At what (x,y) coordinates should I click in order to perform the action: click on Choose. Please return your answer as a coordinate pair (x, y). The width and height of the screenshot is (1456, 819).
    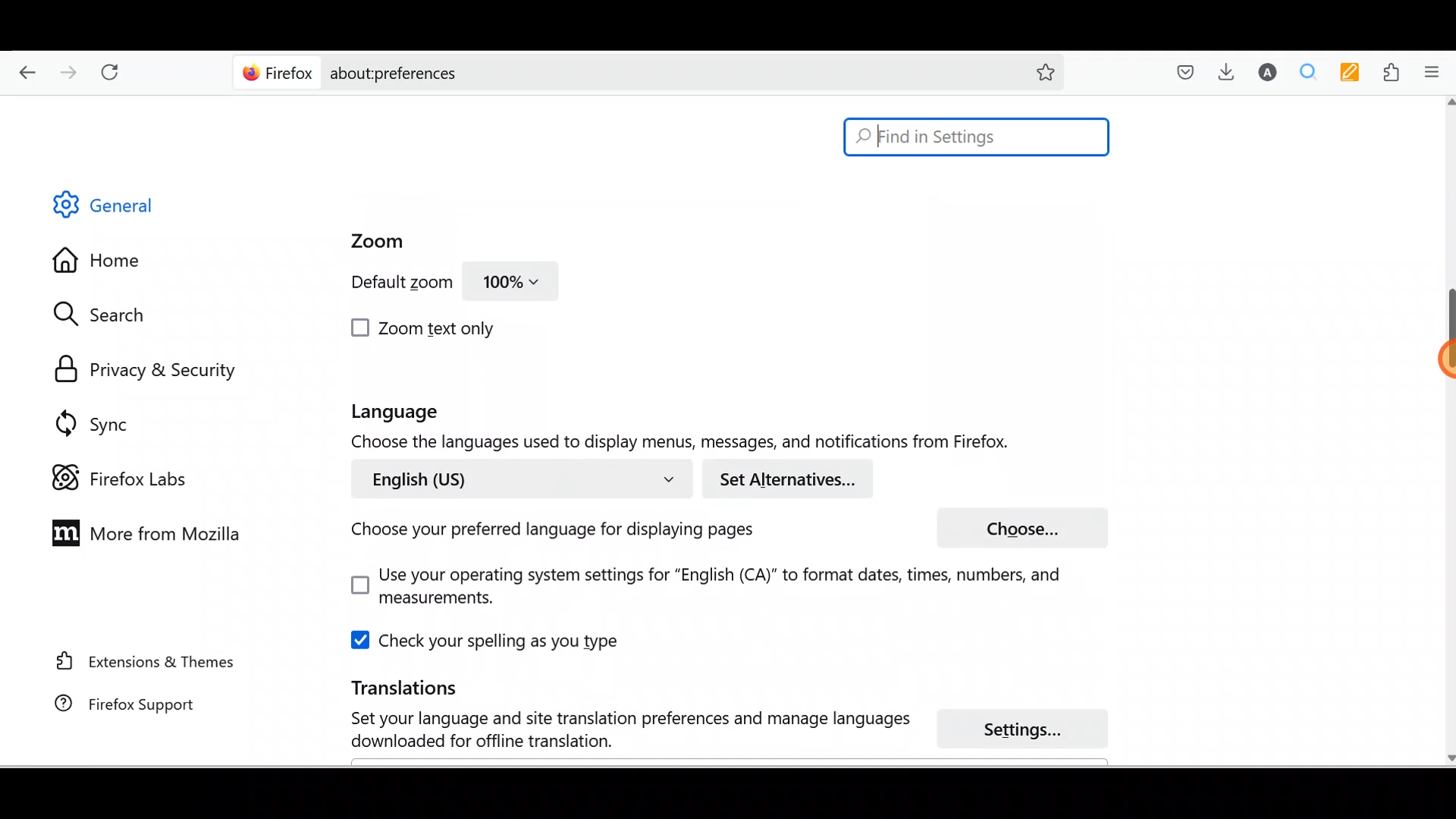
    Looking at the image, I should click on (1021, 526).